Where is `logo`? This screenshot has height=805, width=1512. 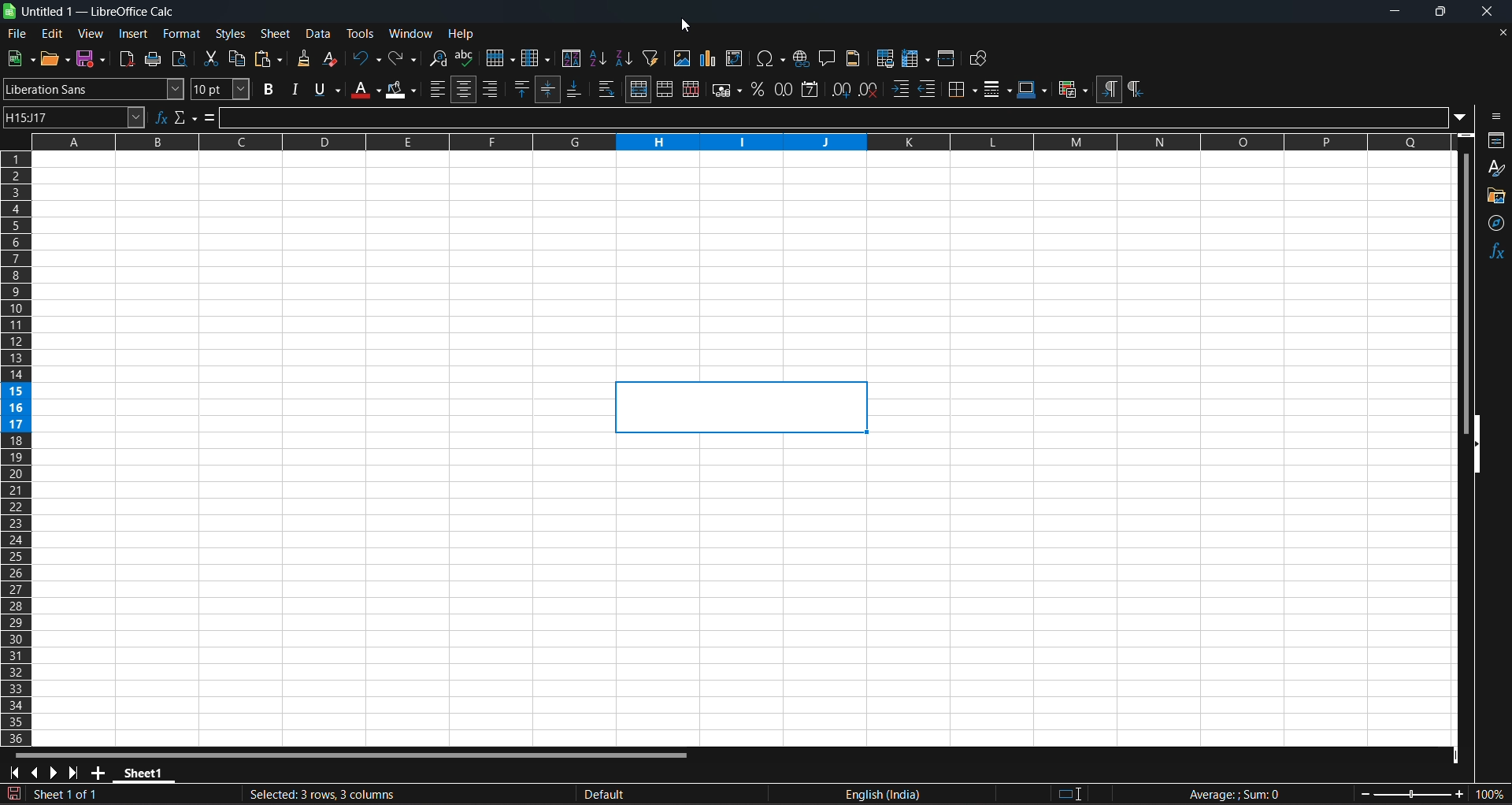
logo is located at coordinates (9, 13).